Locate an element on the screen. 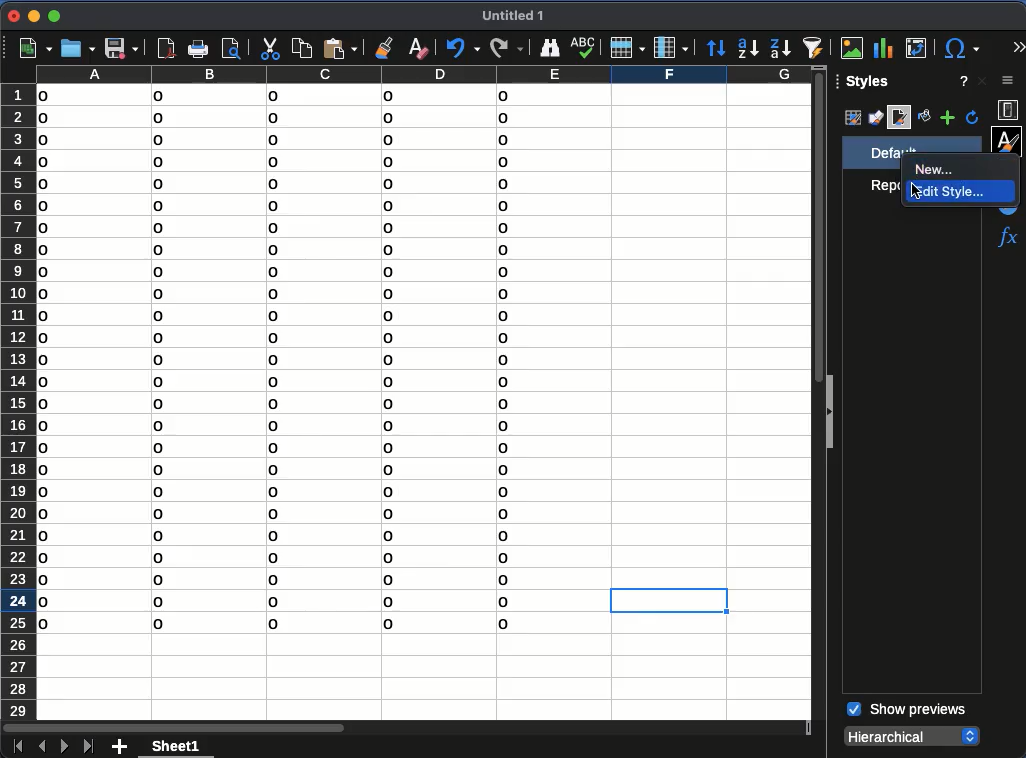  functions is located at coordinates (1007, 239).